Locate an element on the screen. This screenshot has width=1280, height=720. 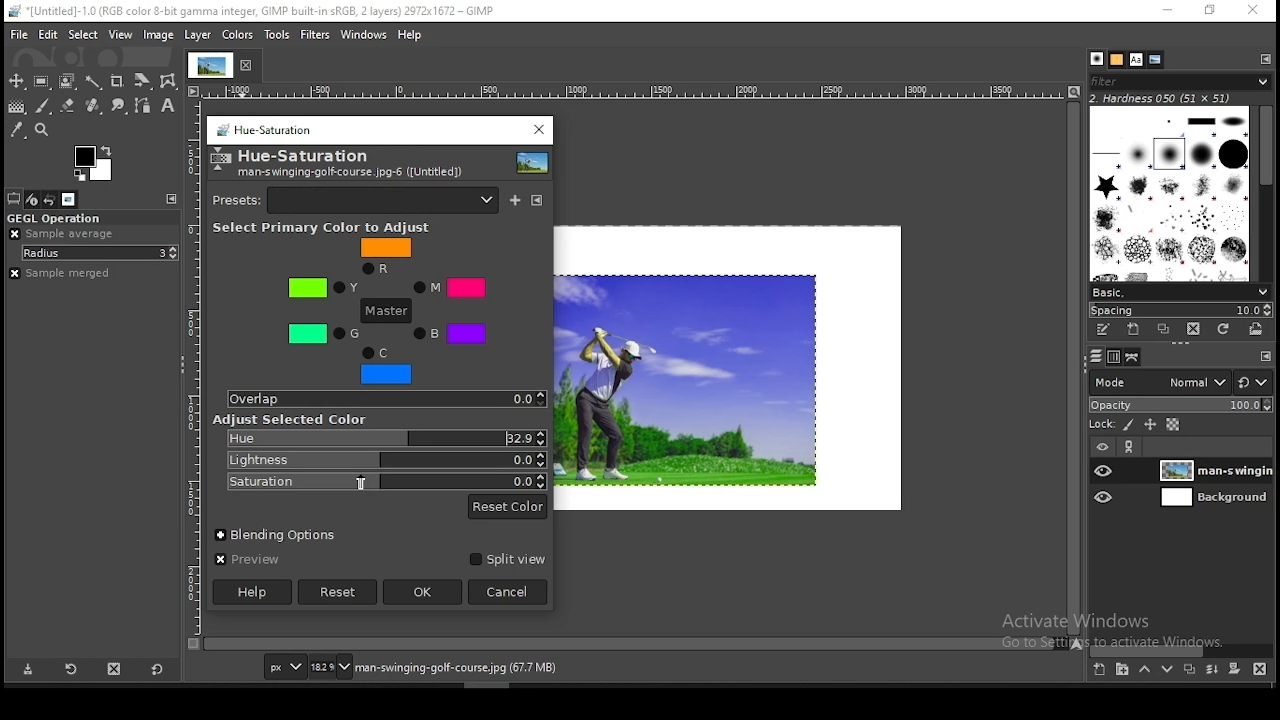
new layer group is located at coordinates (1124, 670).